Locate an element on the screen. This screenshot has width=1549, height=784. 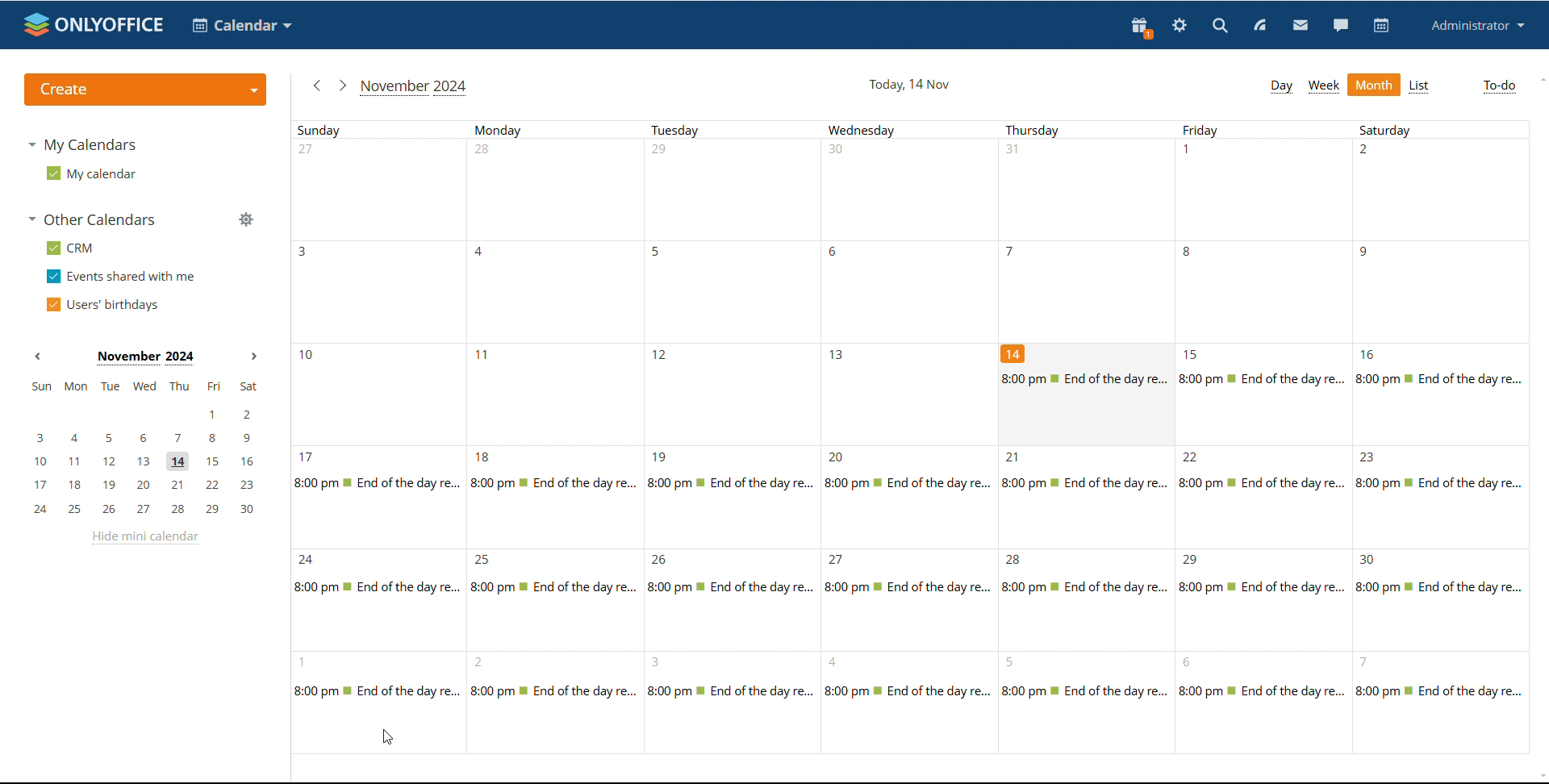
scroll down is located at coordinates (1539, 775).